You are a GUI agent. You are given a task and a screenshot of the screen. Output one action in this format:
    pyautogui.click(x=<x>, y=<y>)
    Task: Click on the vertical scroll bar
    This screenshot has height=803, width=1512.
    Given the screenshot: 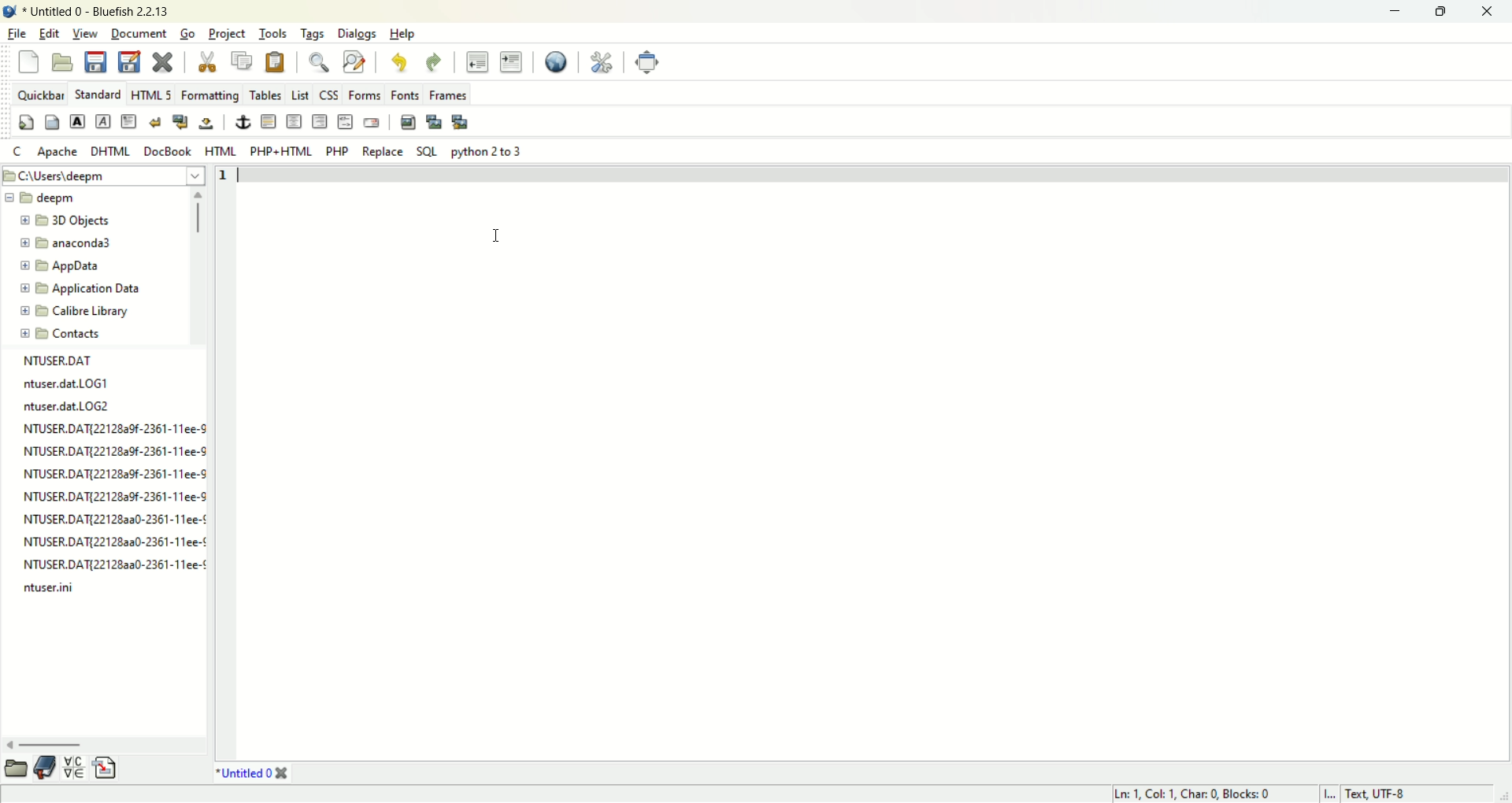 What is the action you would take?
    pyautogui.click(x=196, y=246)
    